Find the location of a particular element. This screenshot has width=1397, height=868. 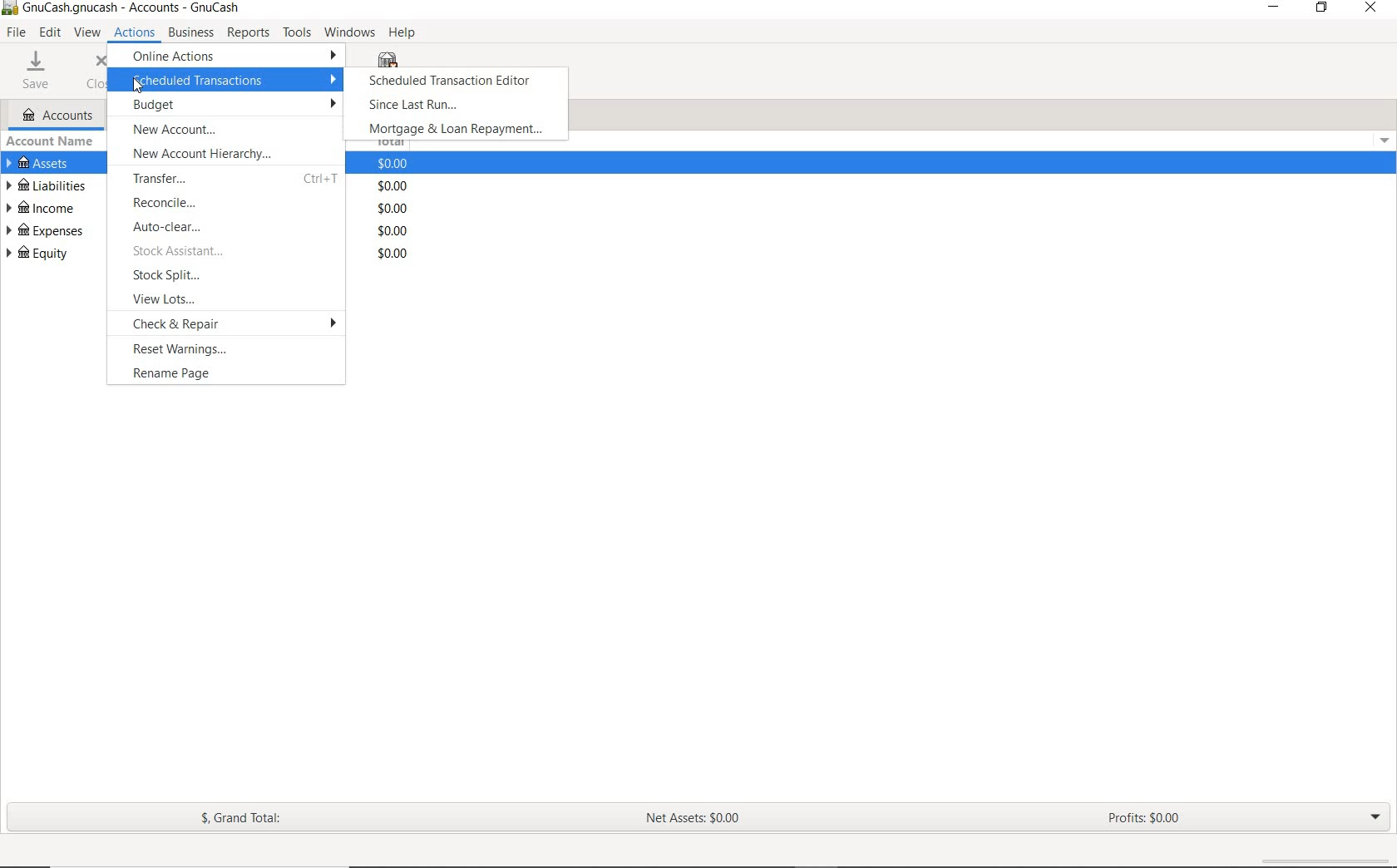

total is located at coordinates (395, 185).